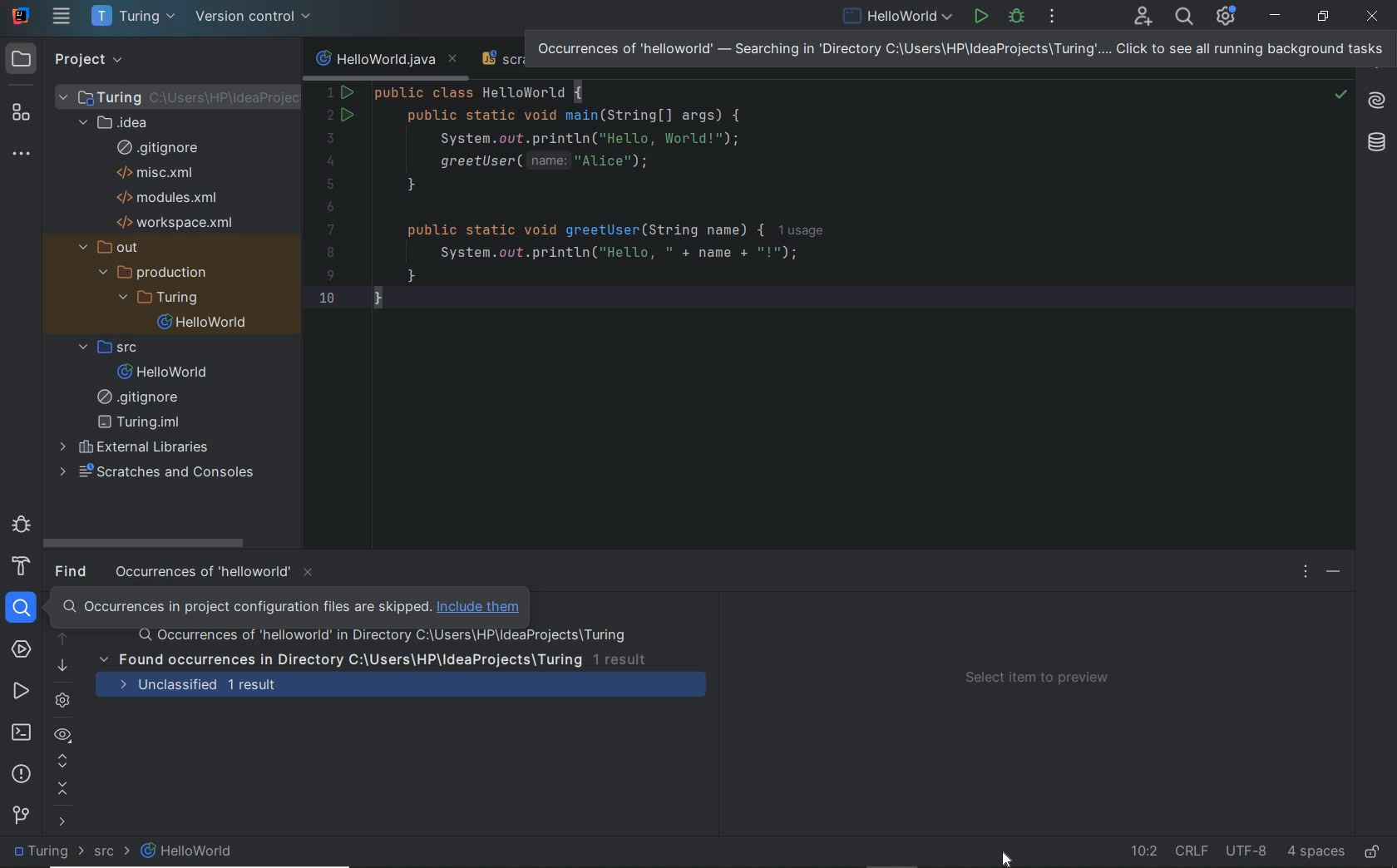  What do you see at coordinates (50, 853) in the screenshot?
I see `folder` at bounding box center [50, 853].